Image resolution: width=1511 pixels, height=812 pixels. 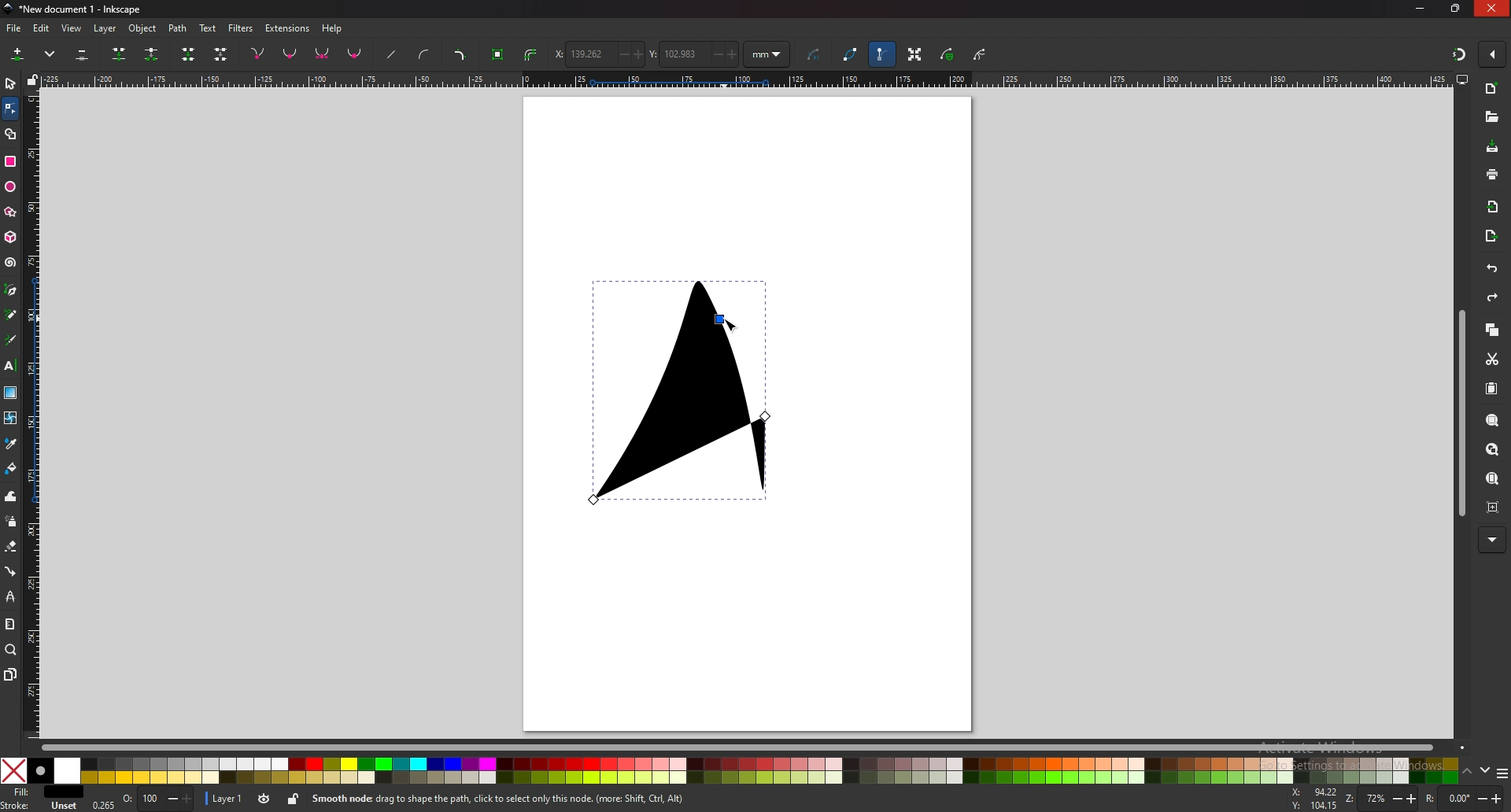 I want to click on delete selected nodes, so click(x=83, y=54).